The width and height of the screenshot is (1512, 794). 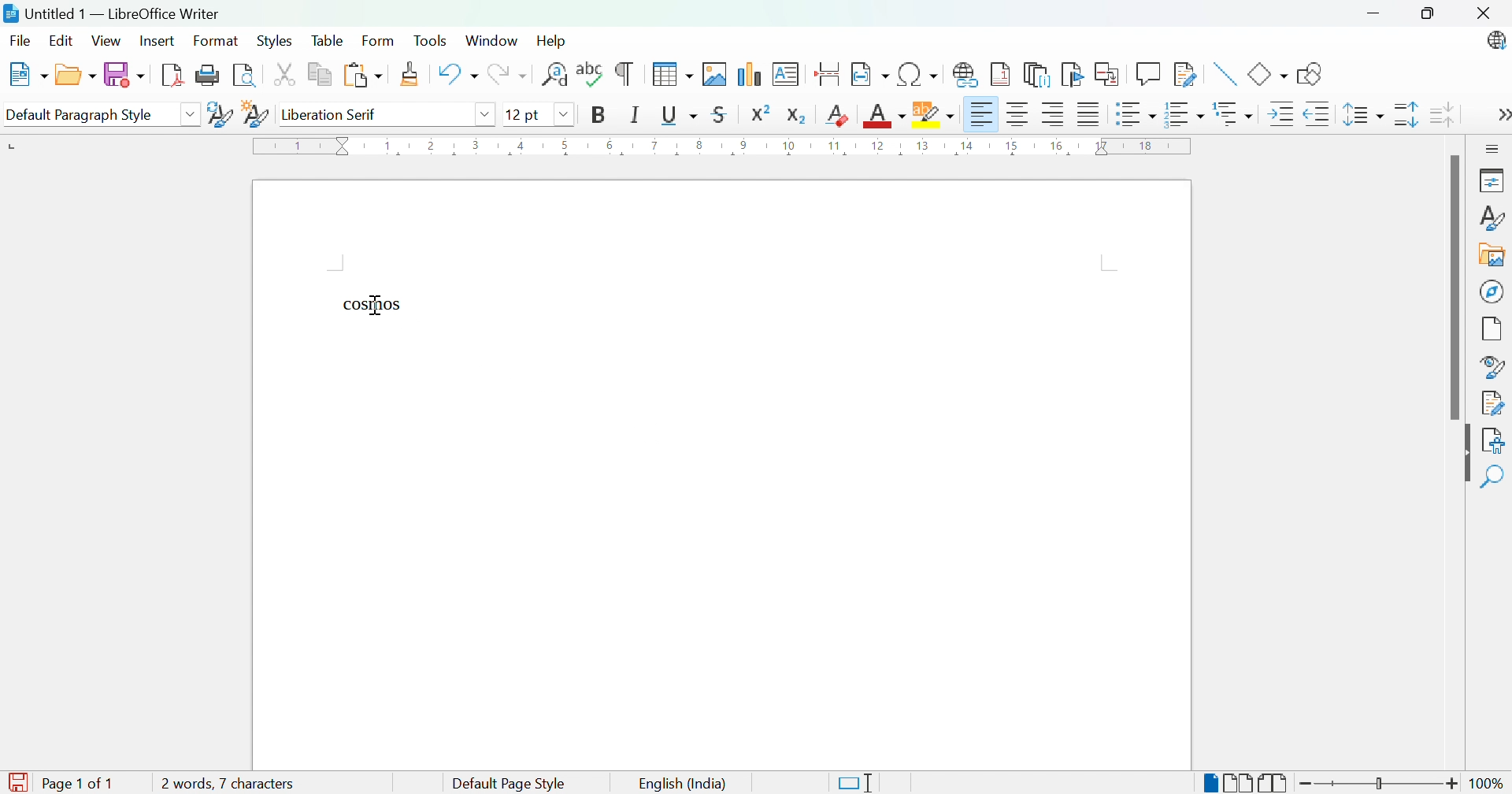 I want to click on Close, so click(x=1488, y=17).